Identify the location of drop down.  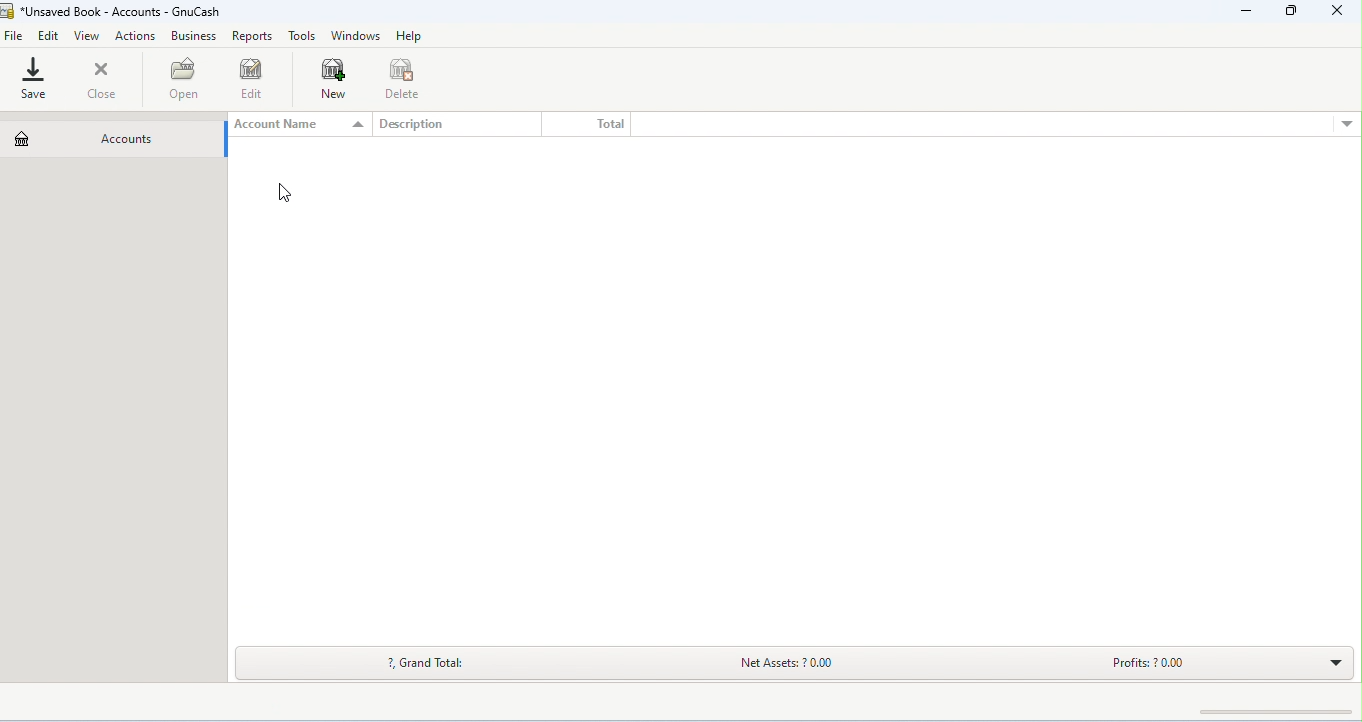
(356, 123).